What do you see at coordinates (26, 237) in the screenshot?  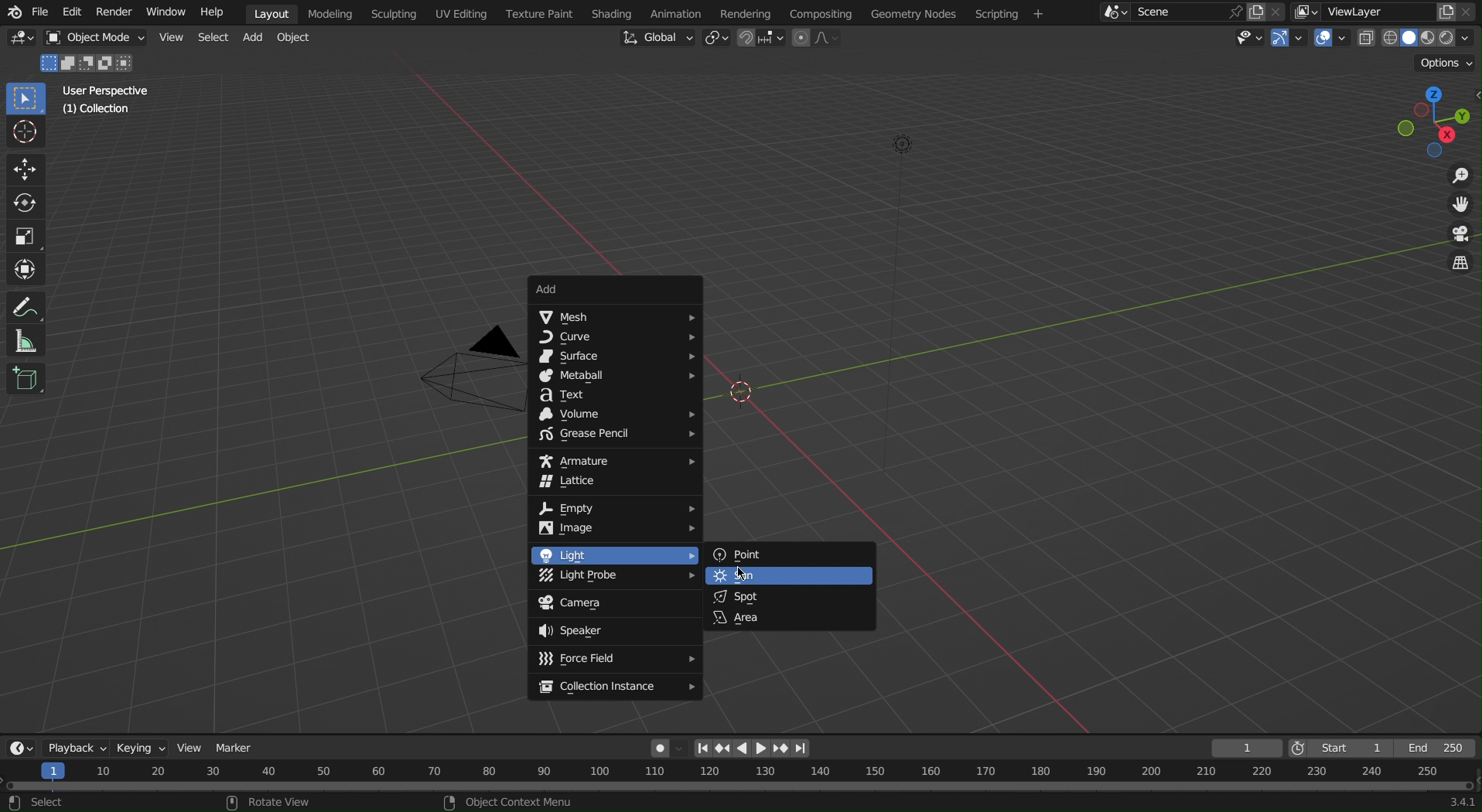 I see `Scale` at bounding box center [26, 237].